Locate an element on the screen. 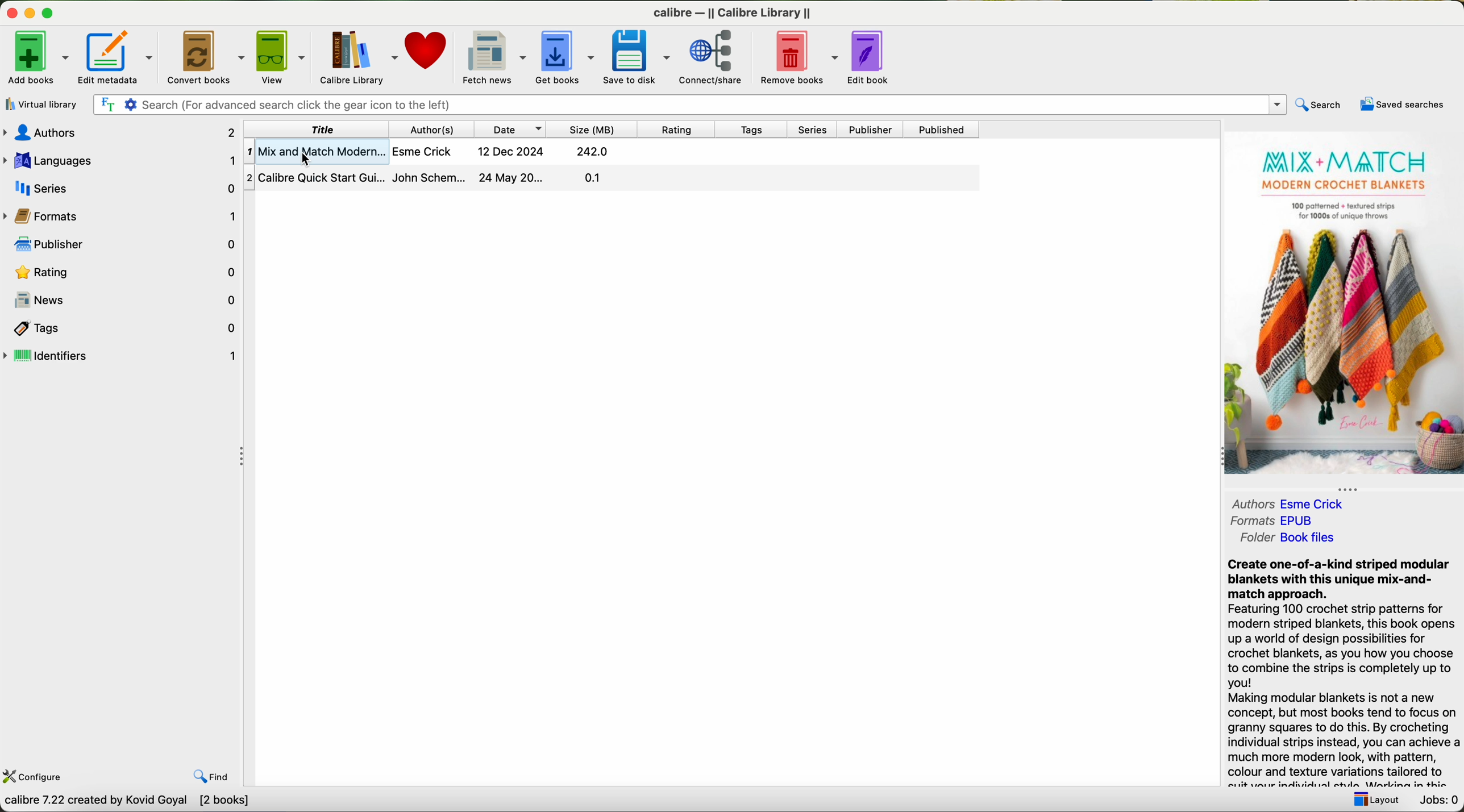  published is located at coordinates (942, 129).